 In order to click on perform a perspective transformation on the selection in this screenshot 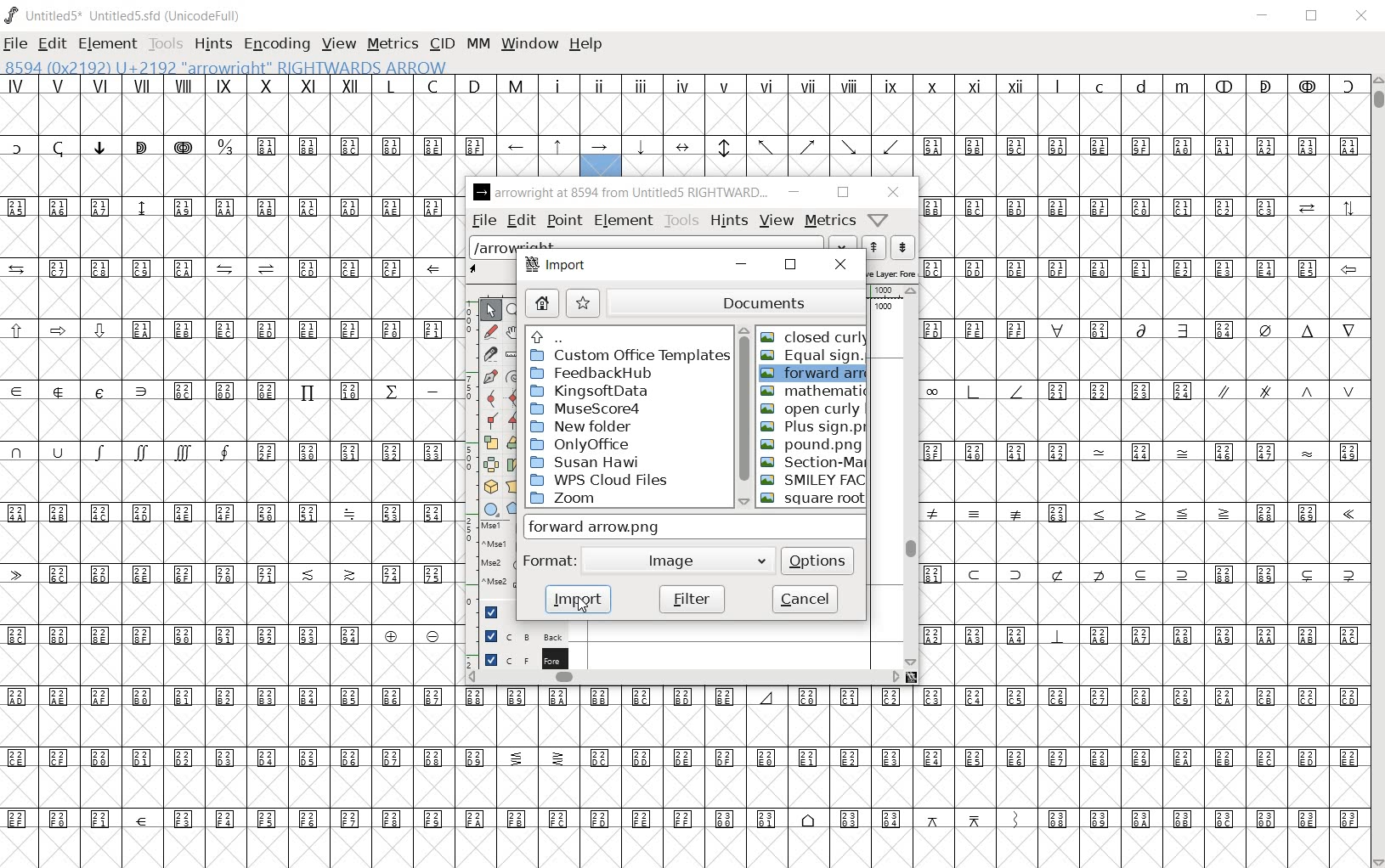, I will do `click(514, 487)`.